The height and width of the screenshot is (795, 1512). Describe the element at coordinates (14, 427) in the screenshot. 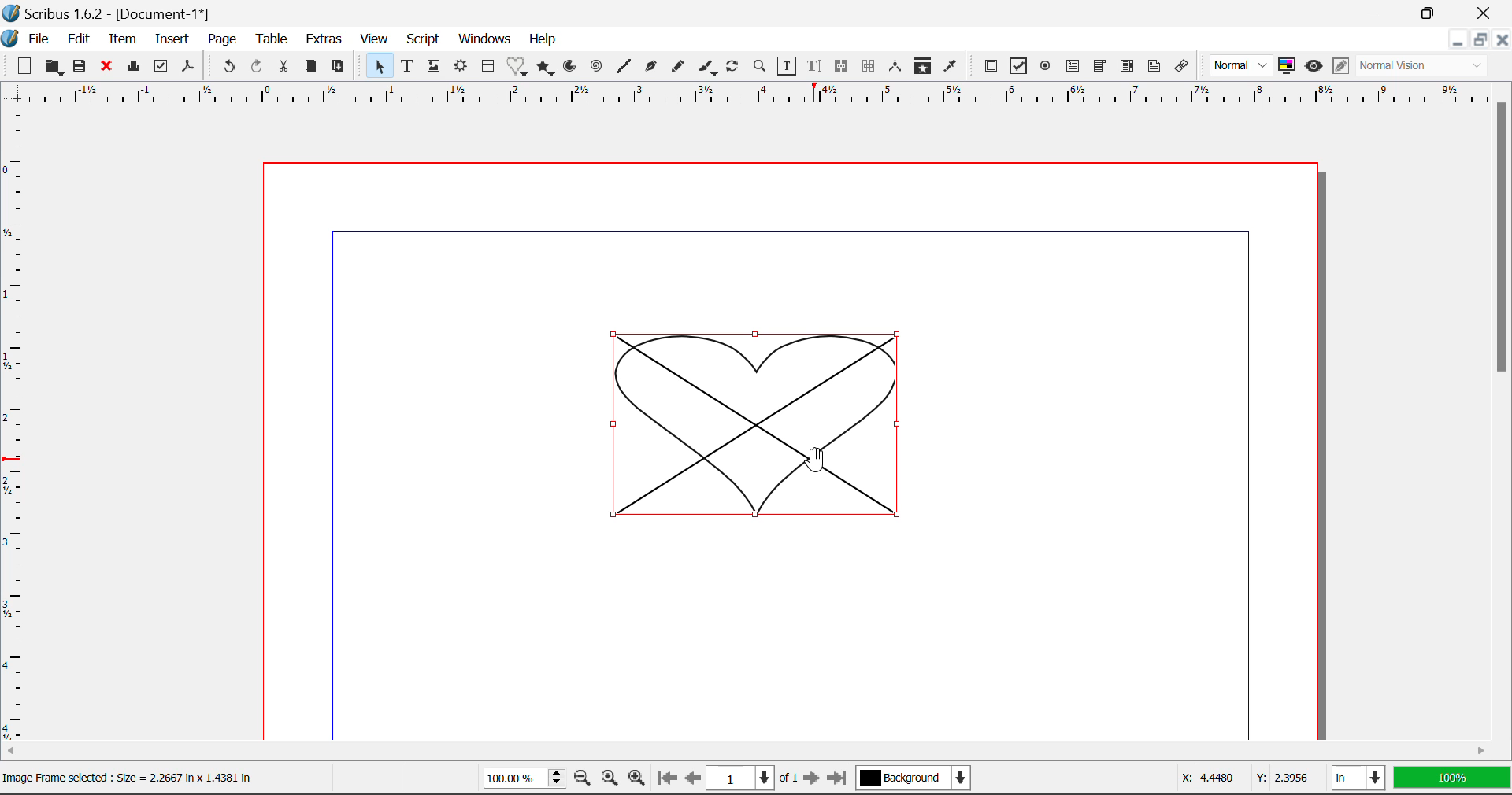

I see `Horizontal Page Margins` at that location.